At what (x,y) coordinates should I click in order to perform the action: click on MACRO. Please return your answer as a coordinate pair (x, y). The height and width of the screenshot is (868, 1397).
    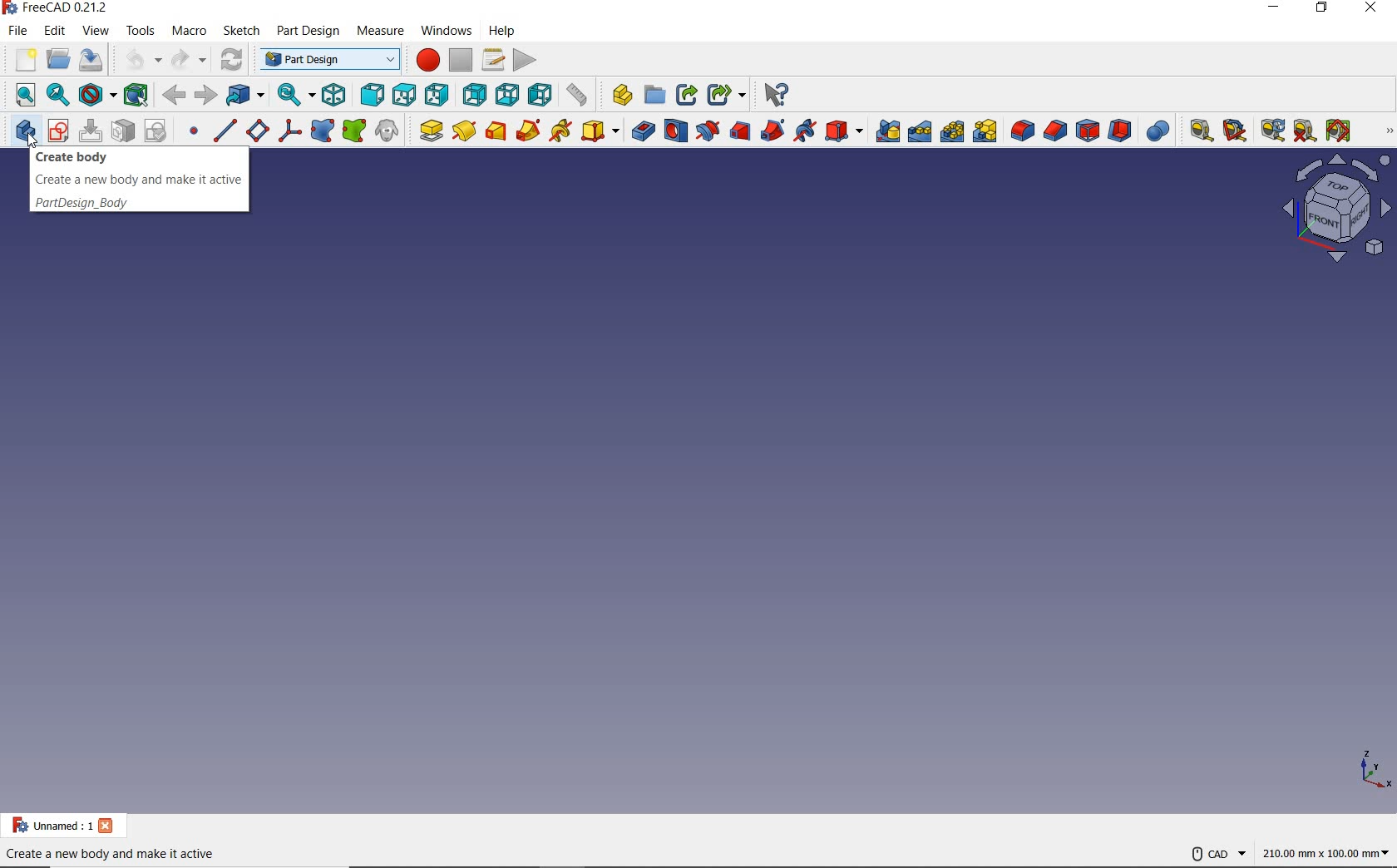
    Looking at the image, I should click on (189, 31).